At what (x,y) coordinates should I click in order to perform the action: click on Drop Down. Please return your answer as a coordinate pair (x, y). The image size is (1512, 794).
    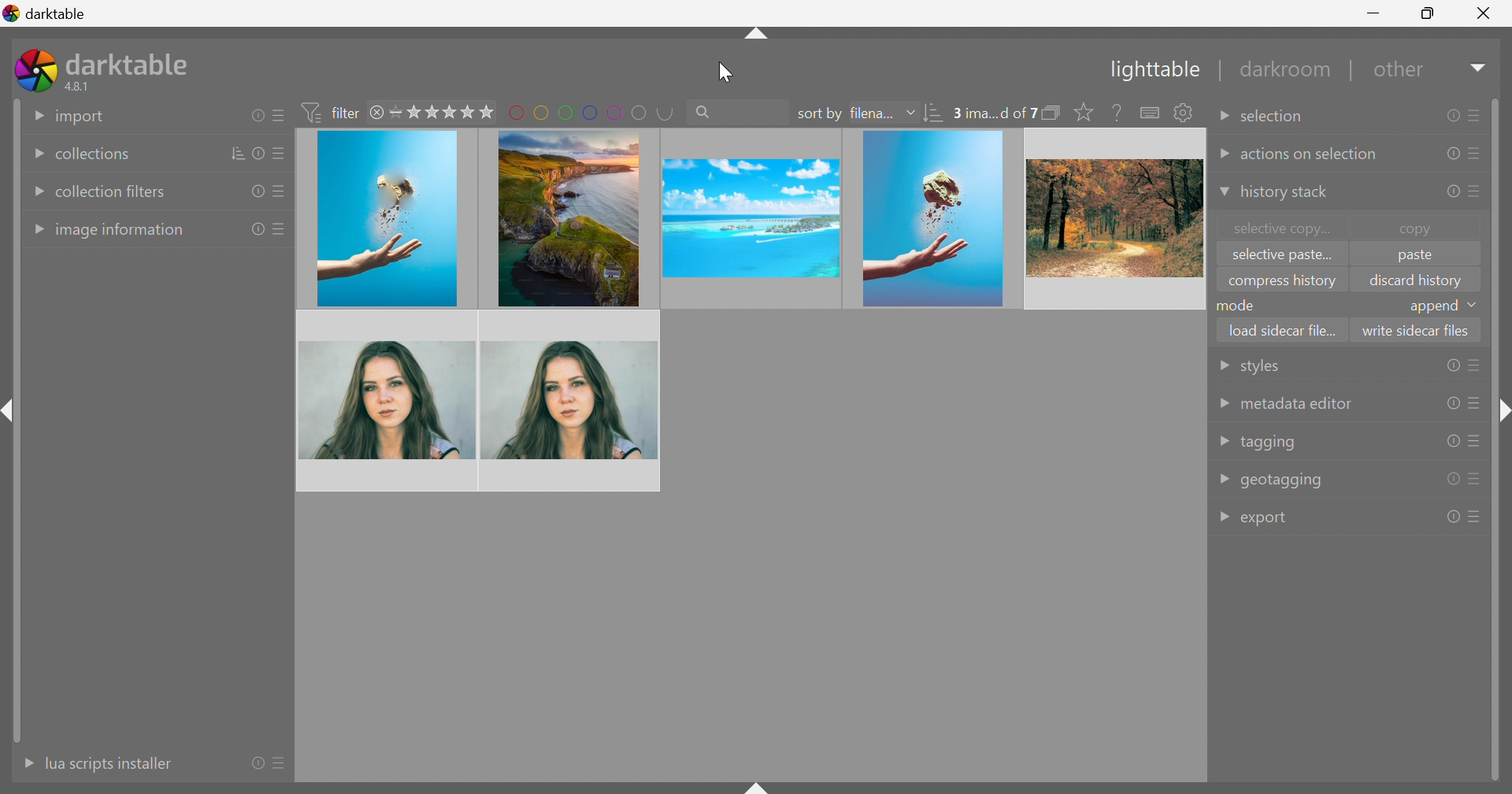
    Looking at the image, I should click on (1224, 441).